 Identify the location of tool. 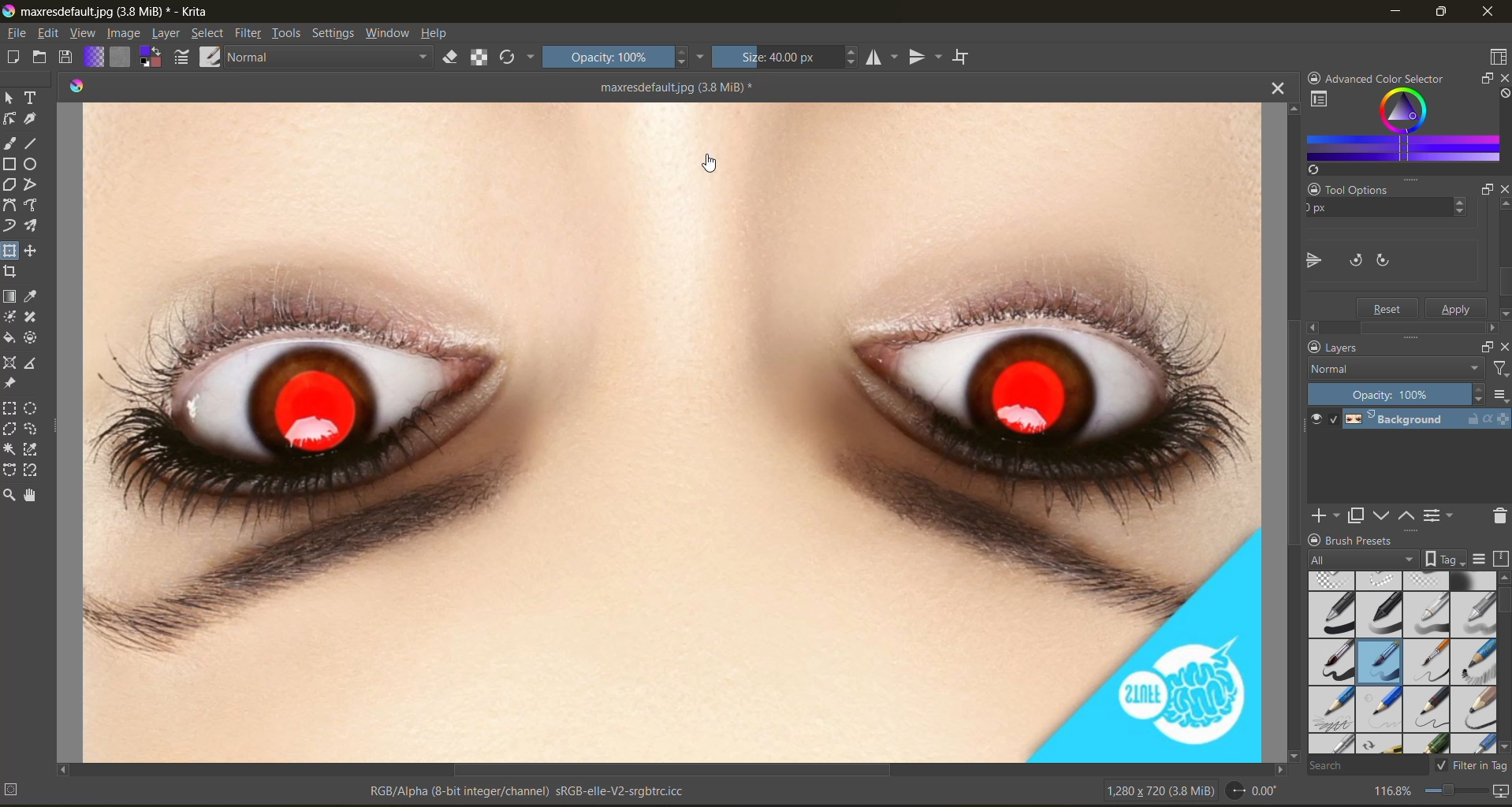
(32, 119).